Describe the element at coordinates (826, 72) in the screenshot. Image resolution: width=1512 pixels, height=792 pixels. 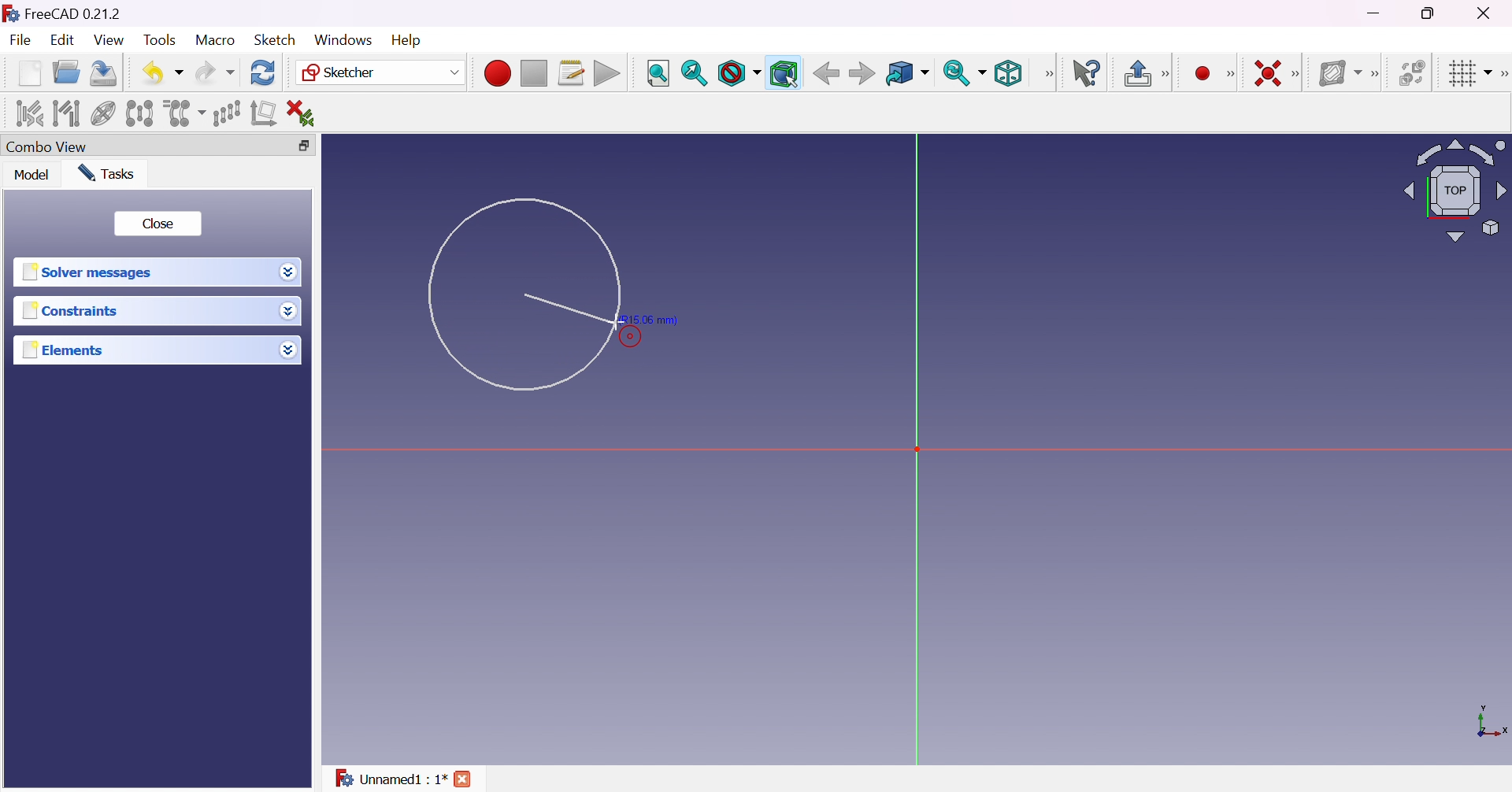
I see `Back` at that location.